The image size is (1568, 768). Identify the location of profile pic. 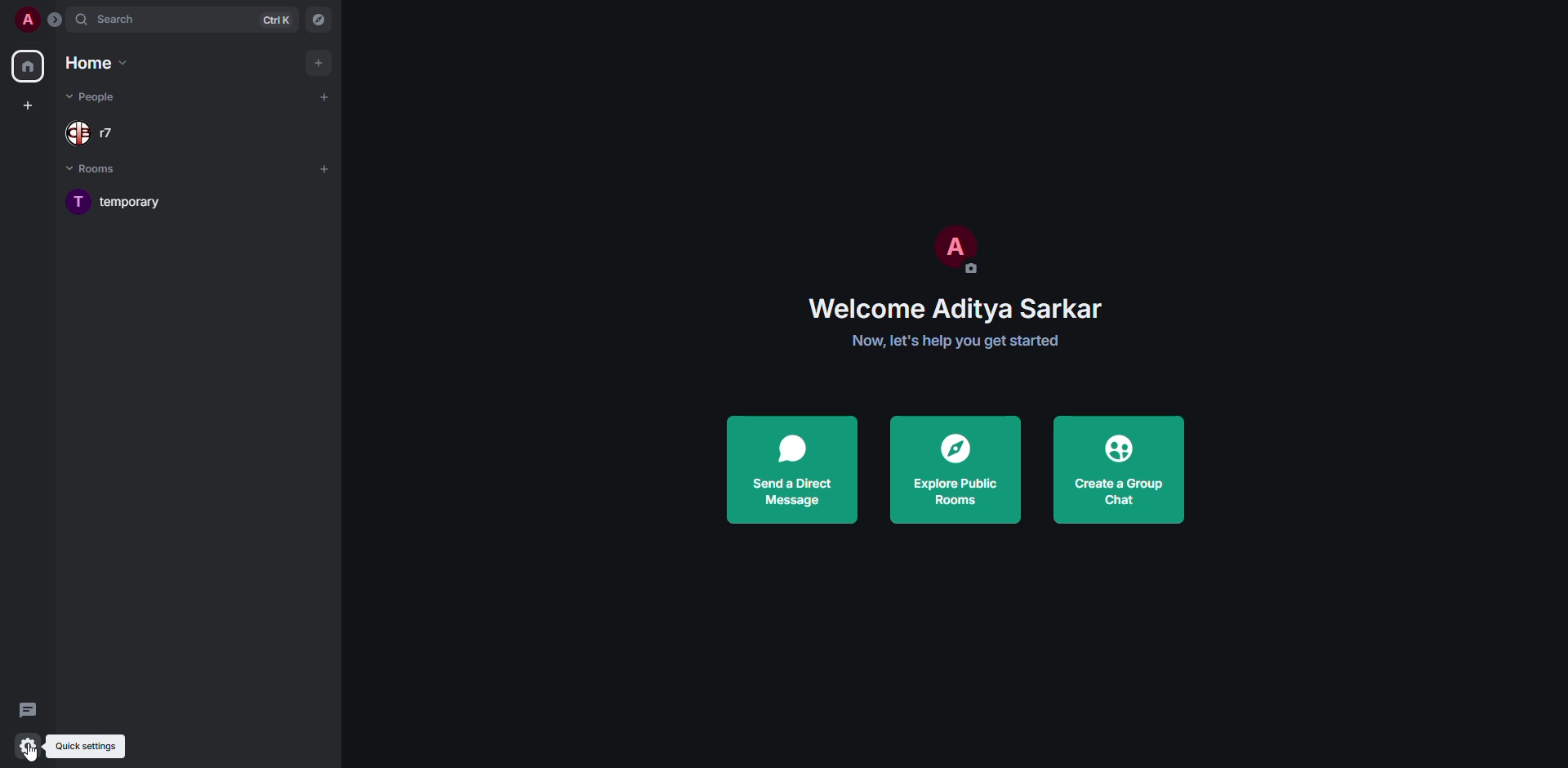
(955, 250).